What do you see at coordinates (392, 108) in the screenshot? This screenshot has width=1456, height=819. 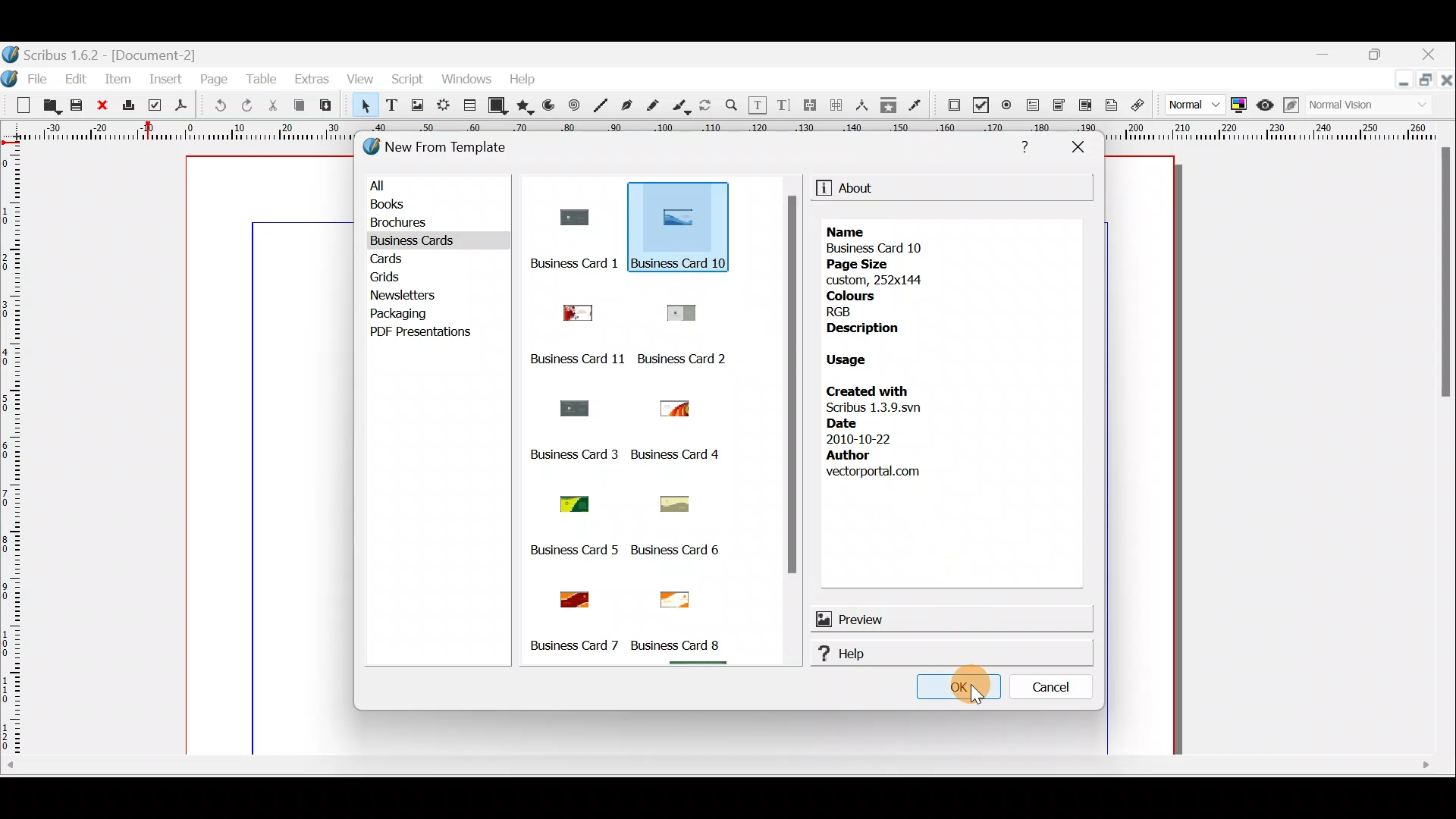 I see `Text frame` at bounding box center [392, 108].